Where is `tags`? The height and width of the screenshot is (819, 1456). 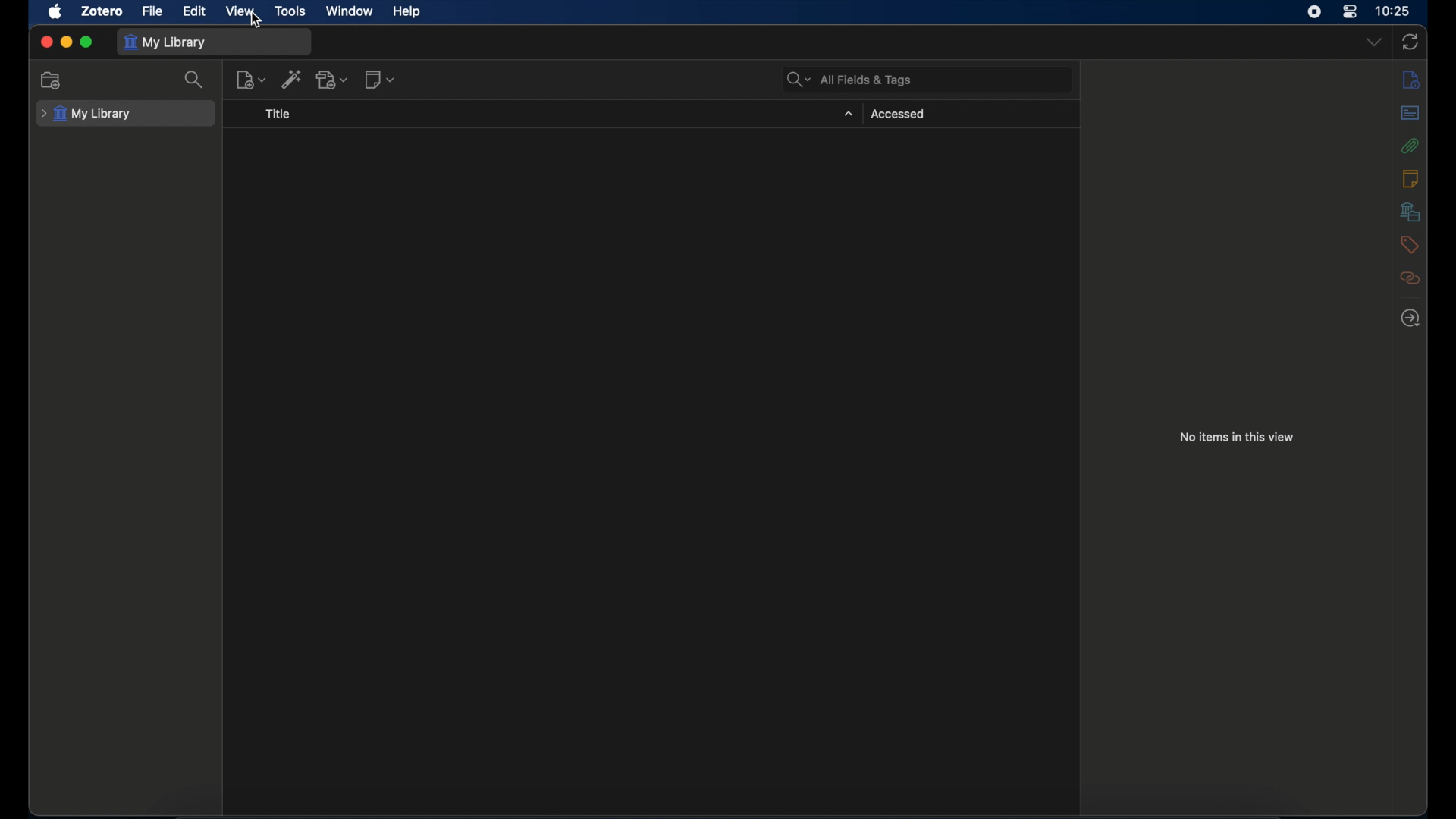 tags is located at coordinates (1410, 244).